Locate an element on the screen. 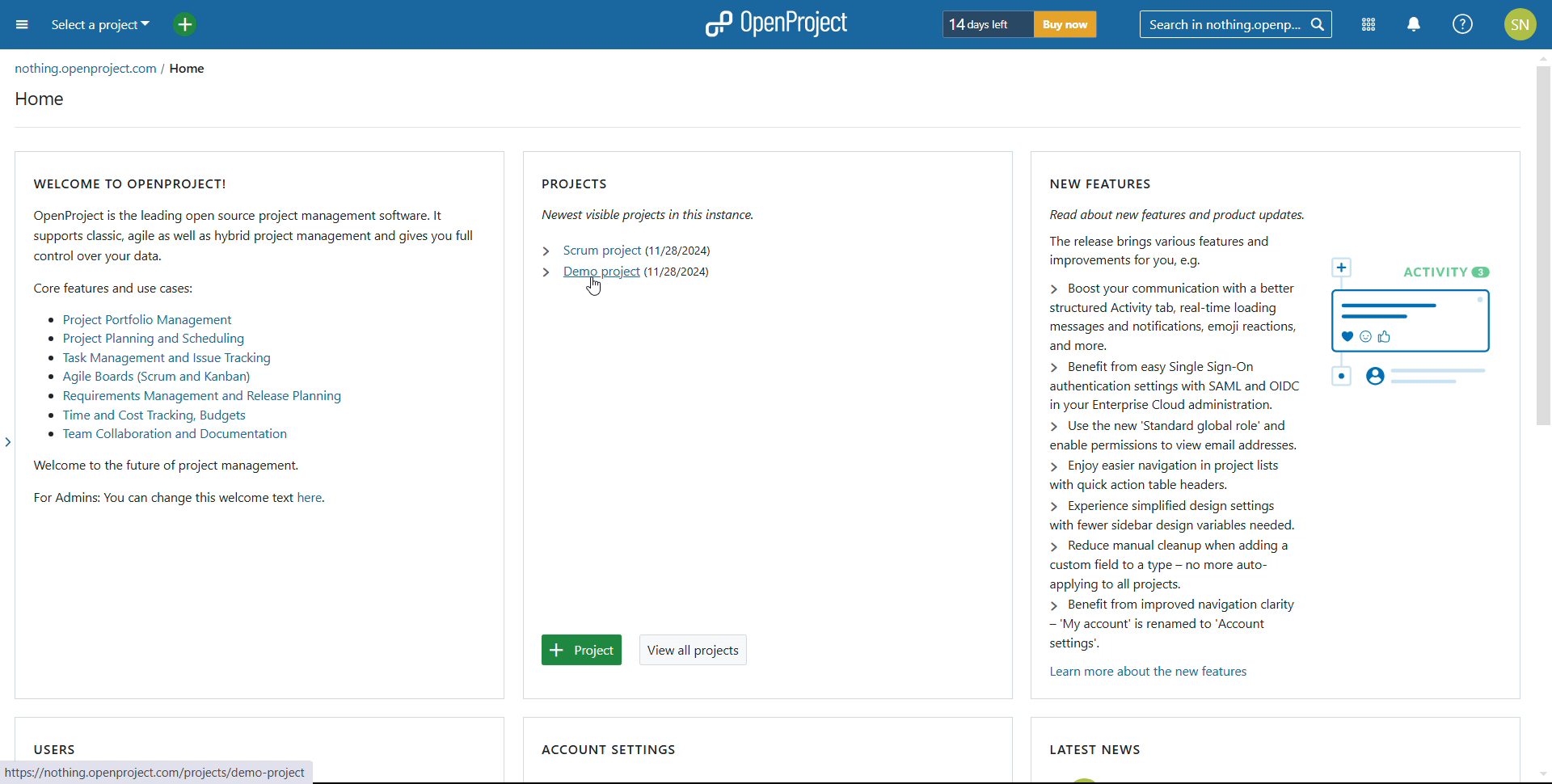 Image resolution: width=1552 pixels, height=784 pixels. welcome to open project is located at coordinates (253, 343).